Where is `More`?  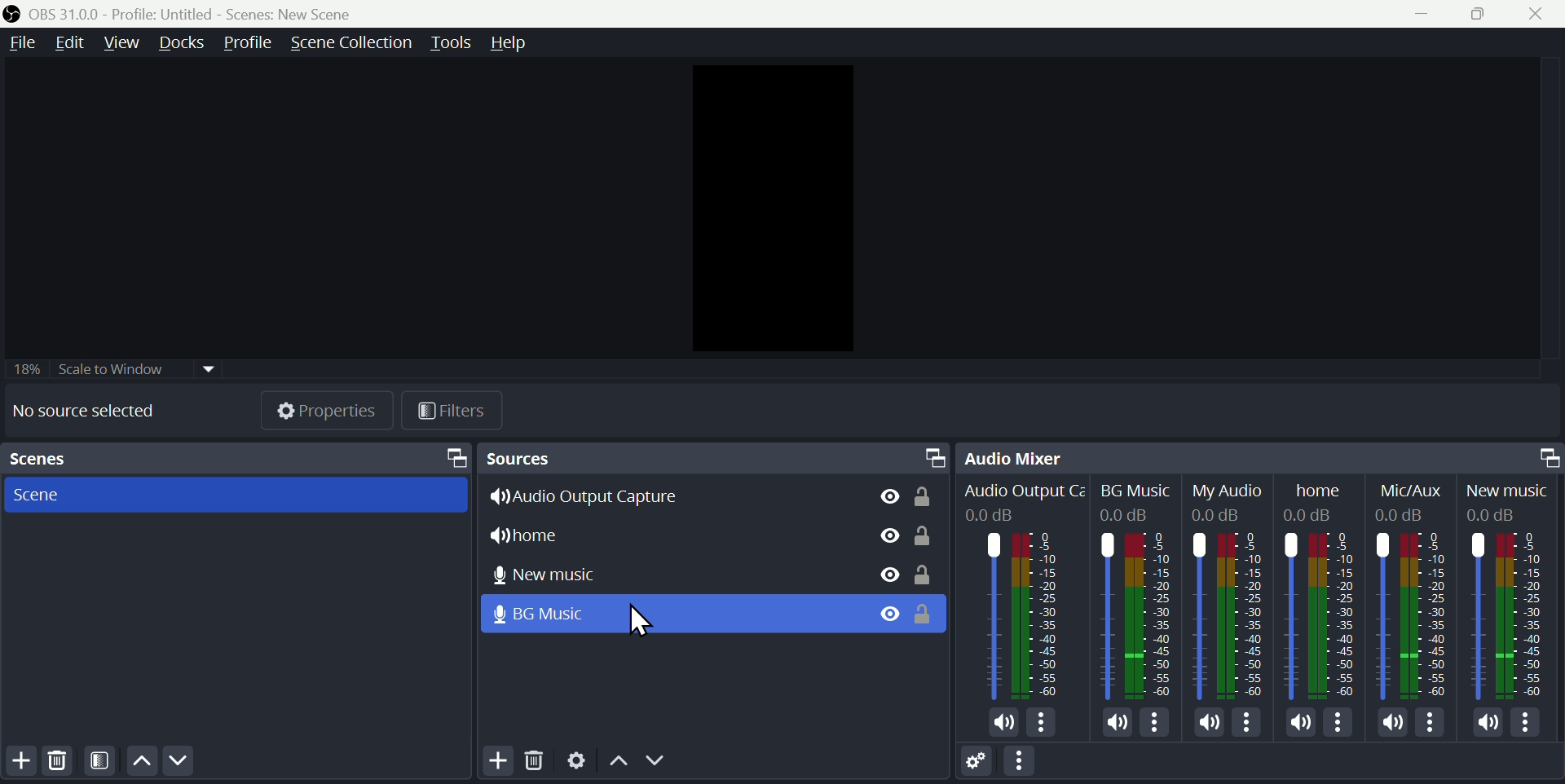
More is located at coordinates (1340, 724).